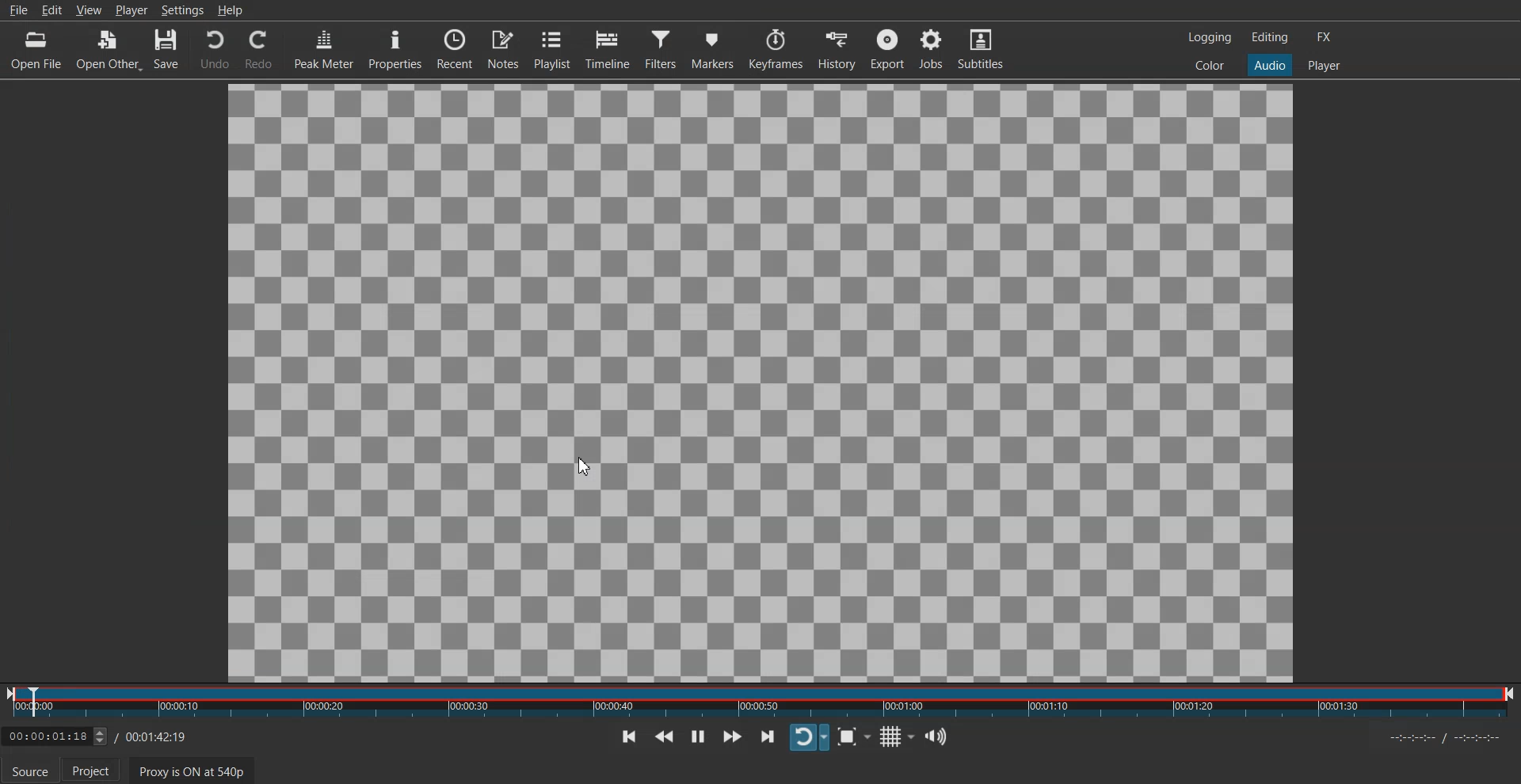  I want to click on Skip To previous point, so click(629, 736).